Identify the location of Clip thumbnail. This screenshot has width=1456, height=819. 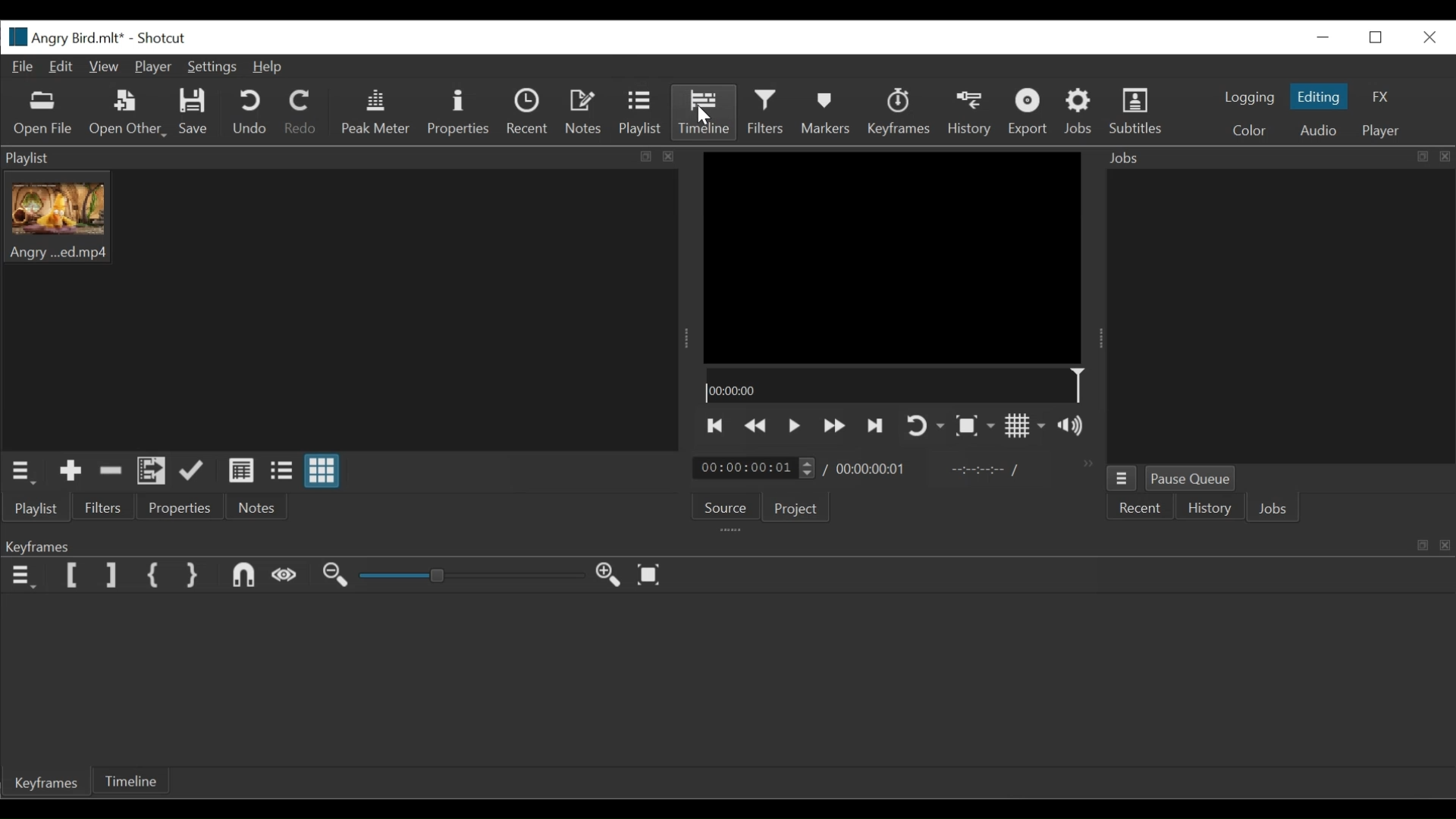
(340, 309).